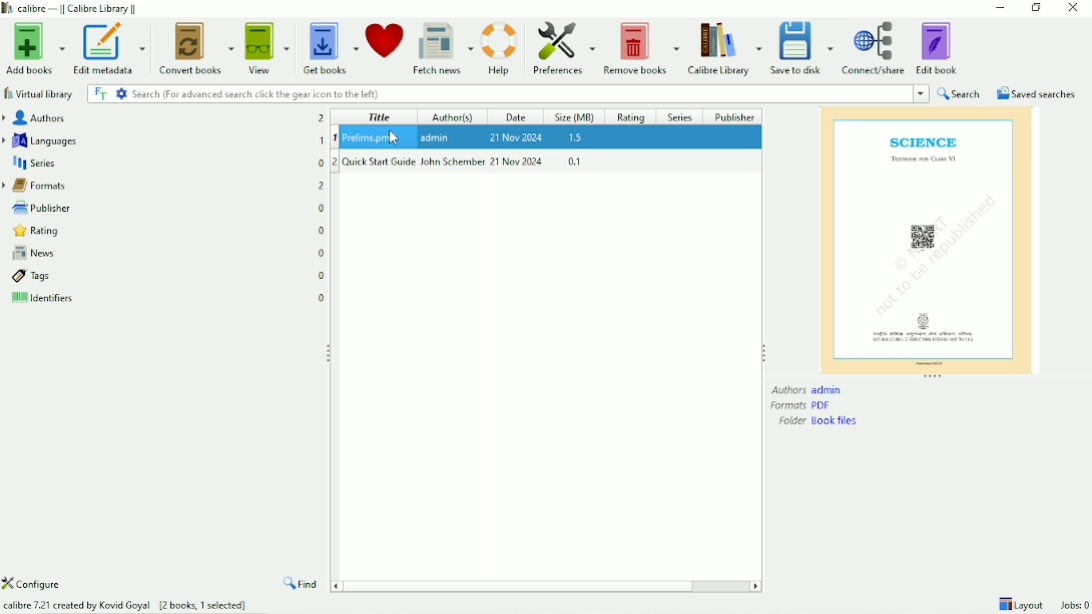  What do you see at coordinates (34, 164) in the screenshot?
I see `Series` at bounding box center [34, 164].